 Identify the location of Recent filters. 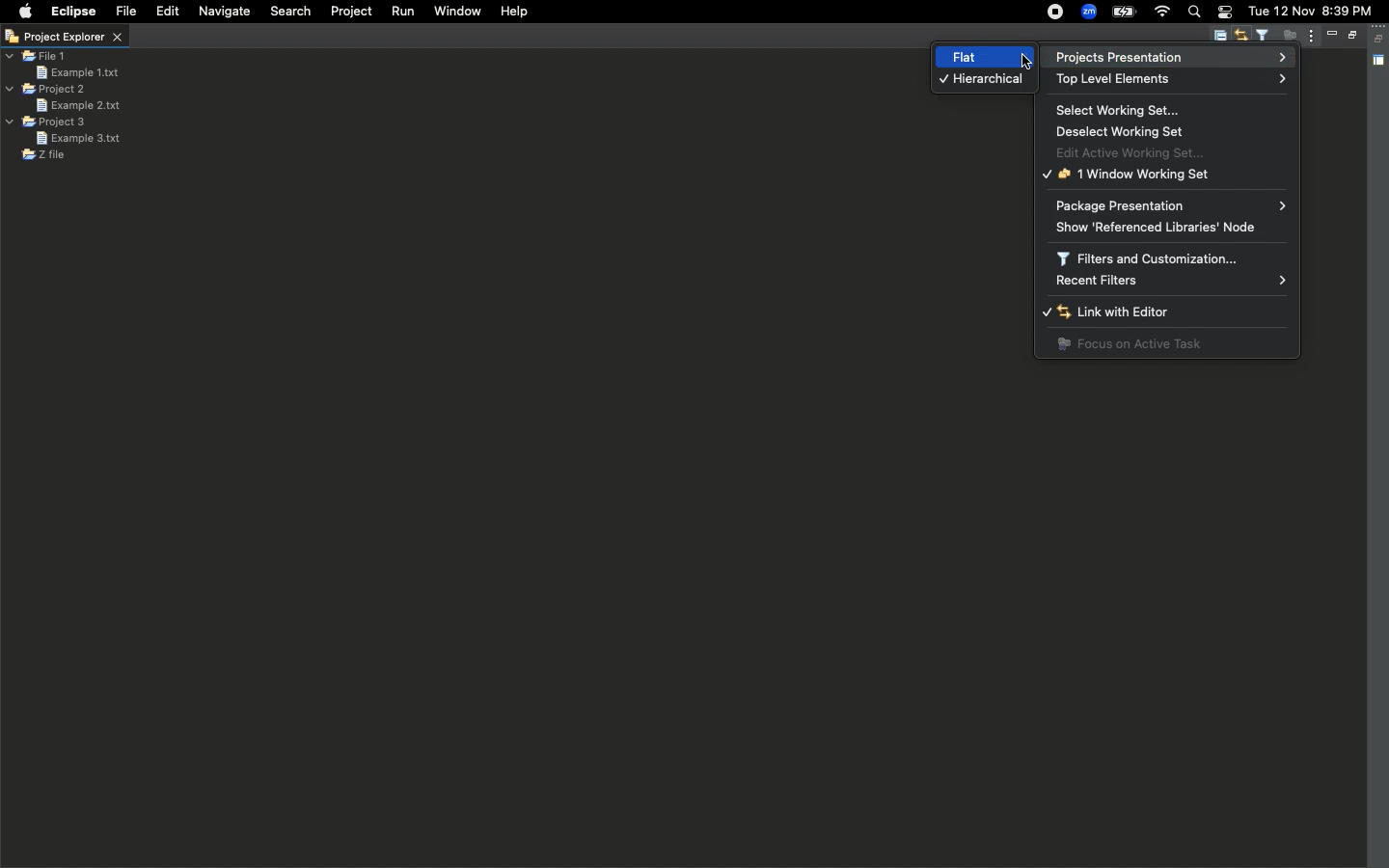
(1171, 281).